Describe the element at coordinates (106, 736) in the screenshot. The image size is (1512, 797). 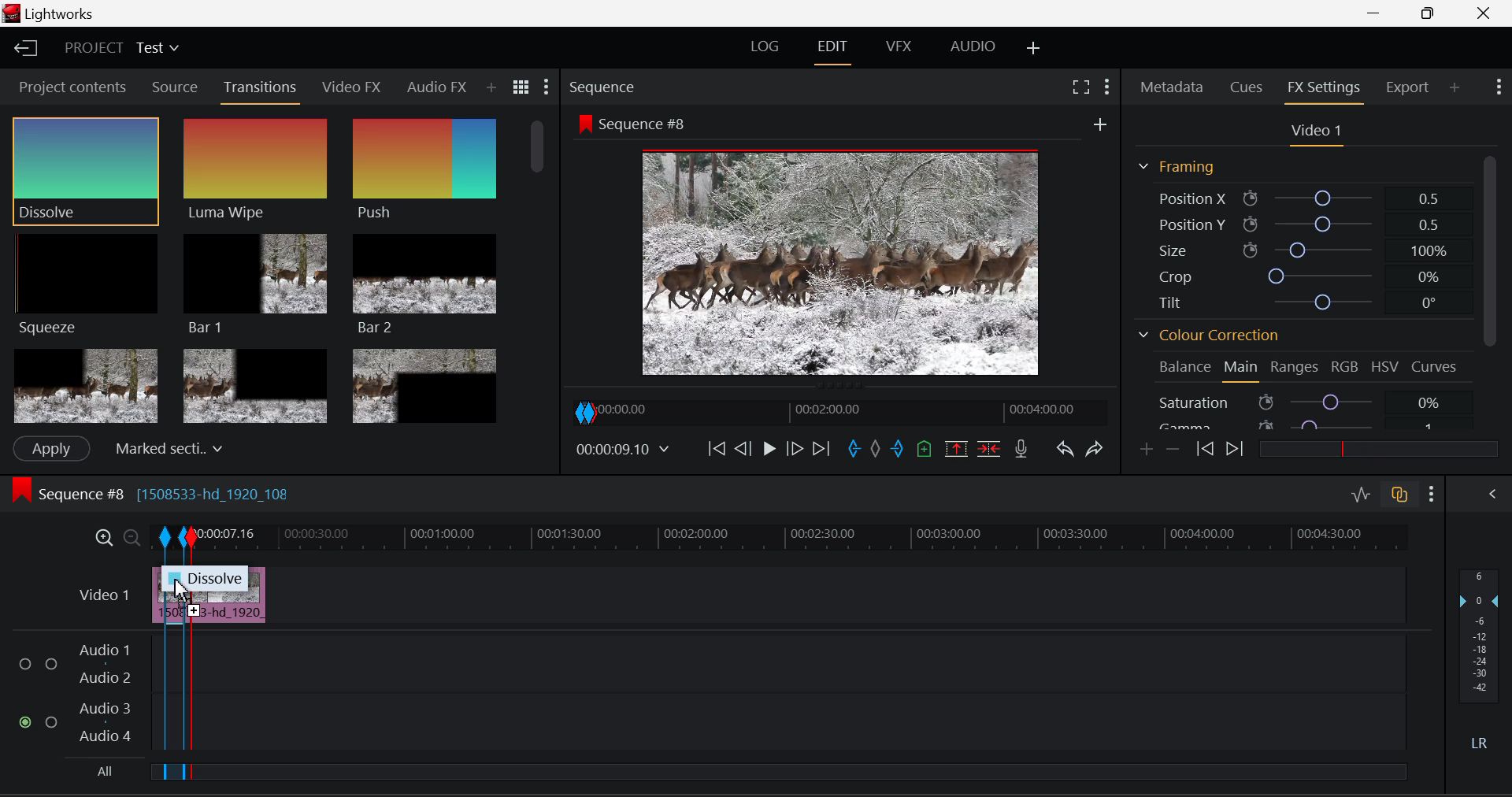
I see `Audio 4` at that location.